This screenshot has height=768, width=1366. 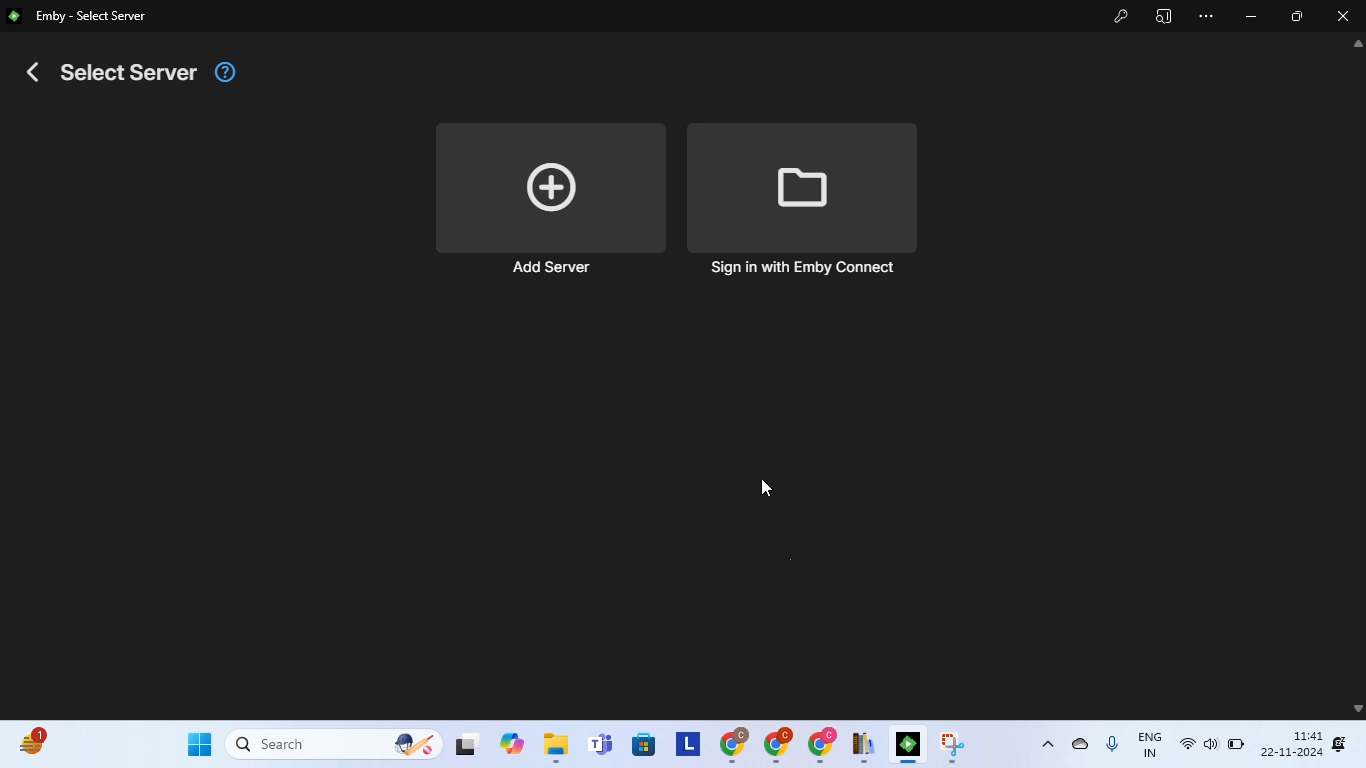 What do you see at coordinates (198, 742) in the screenshot?
I see `start` at bounding box center [198, 742].